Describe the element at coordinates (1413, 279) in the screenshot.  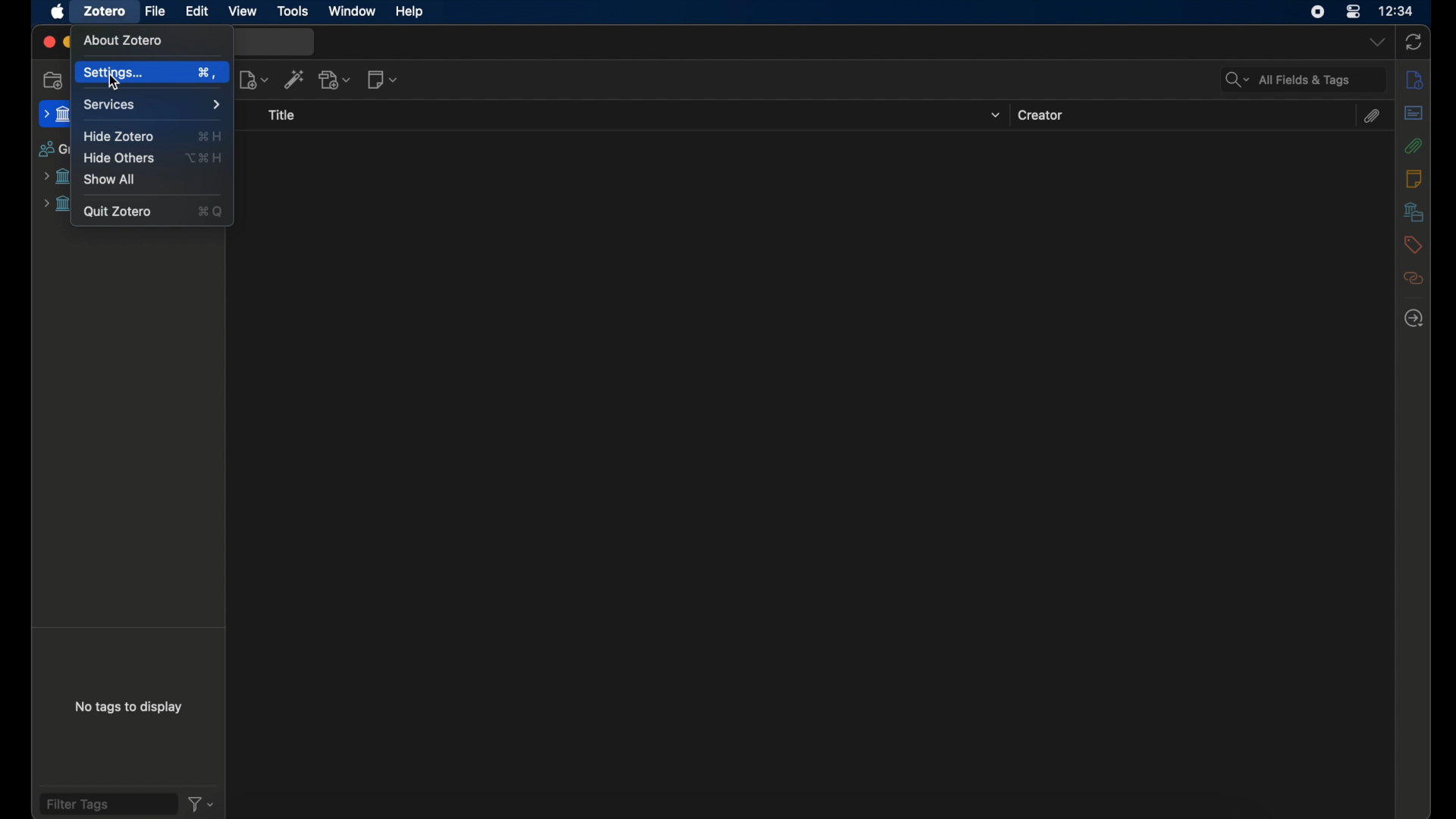
I see `related` at that location.